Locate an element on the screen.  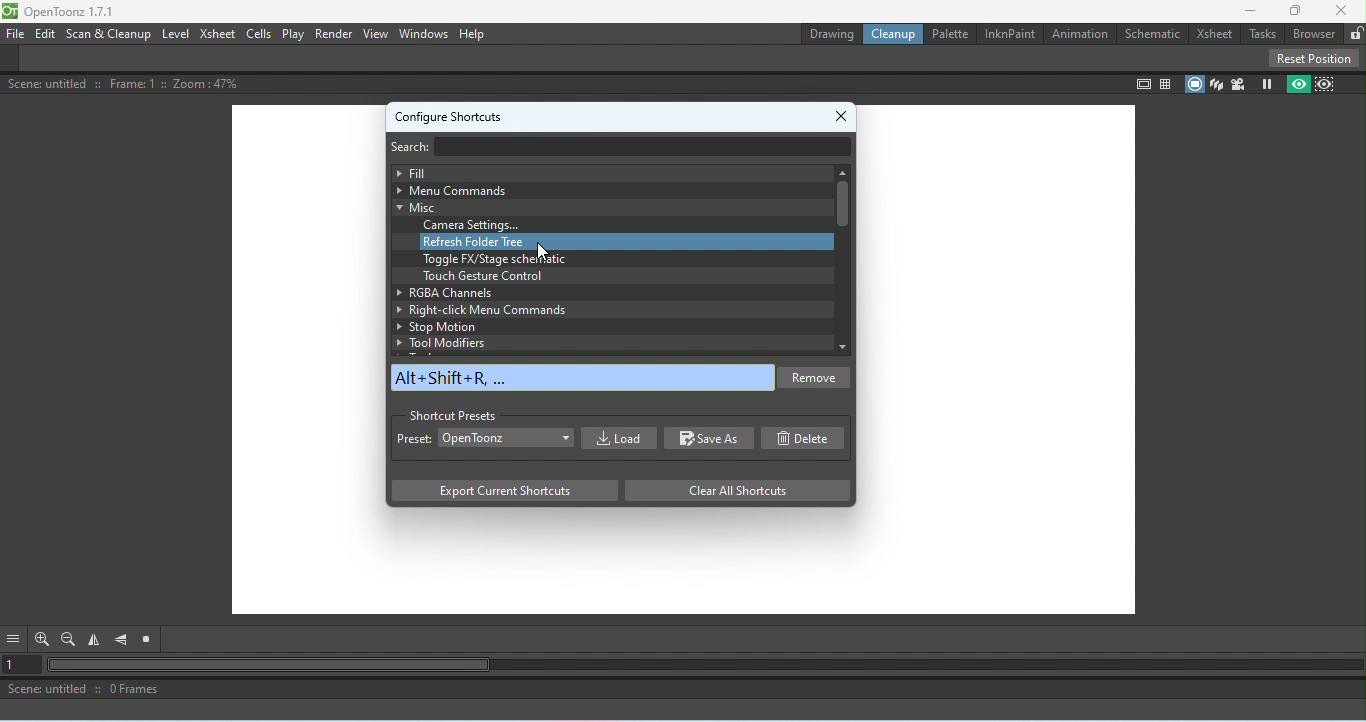
Tasks is located at coordinates (1262, 33).